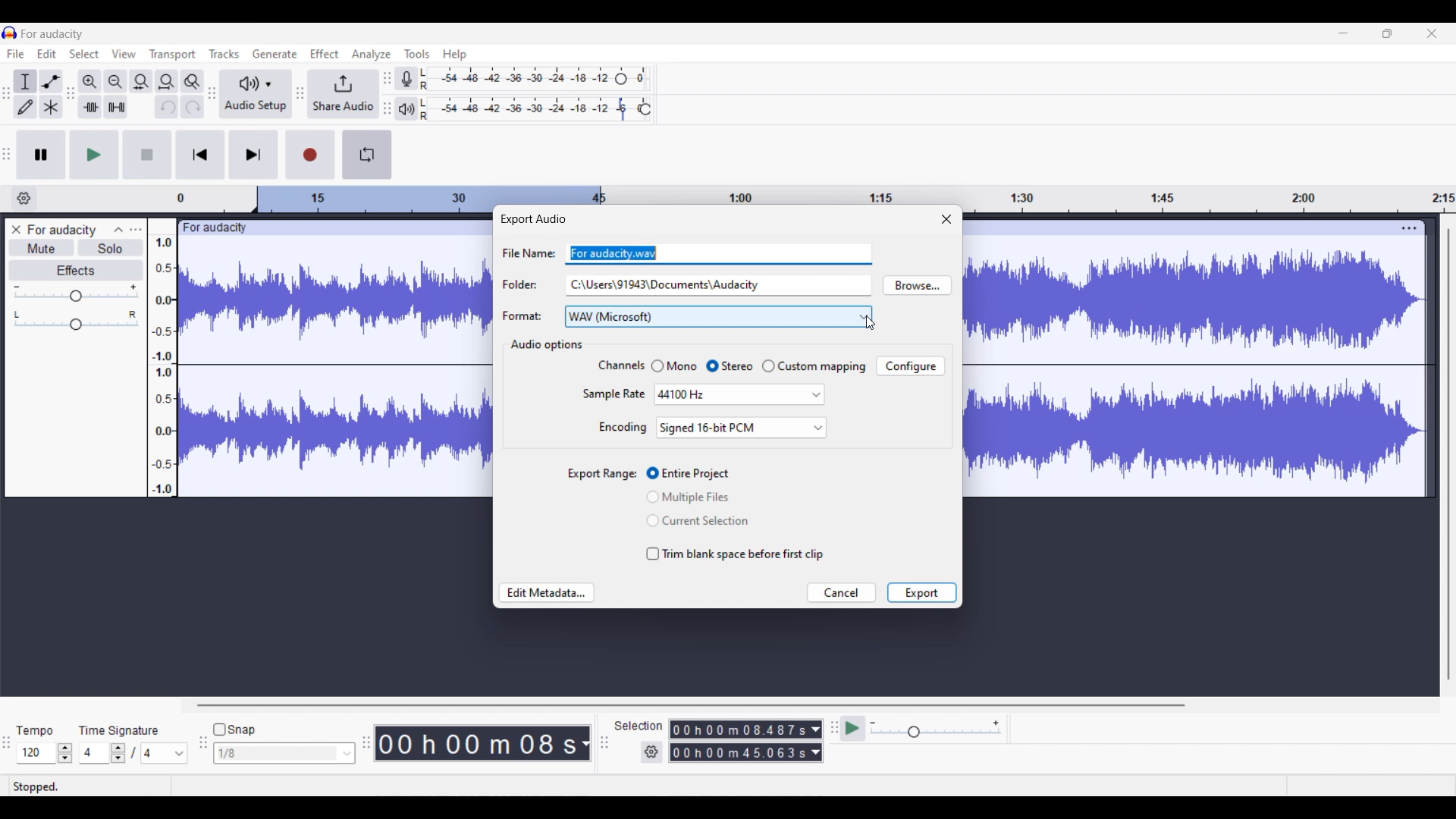 This screenshot has width=1456, height=819. I want to click on Fit selection to width, so click(140, 83).